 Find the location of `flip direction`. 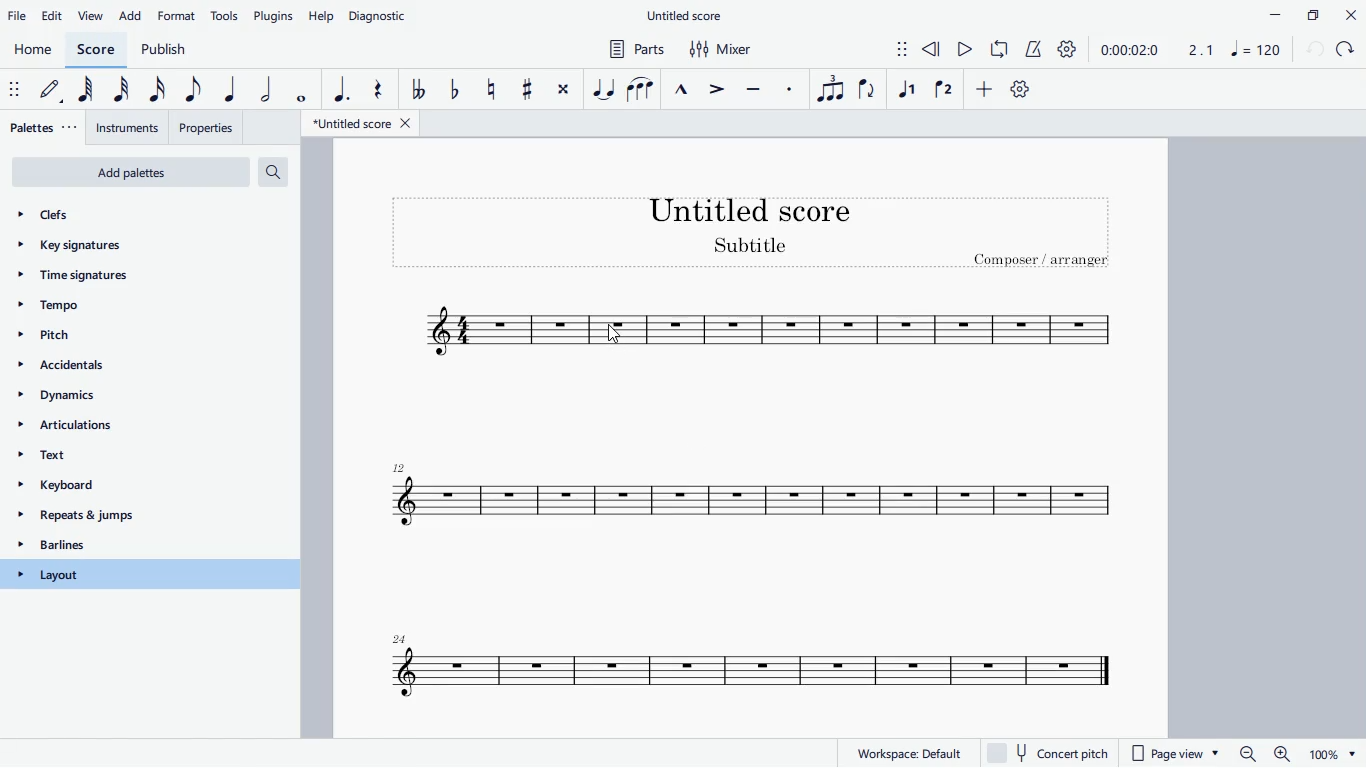

flip direction is located at coordinates (867, 90).